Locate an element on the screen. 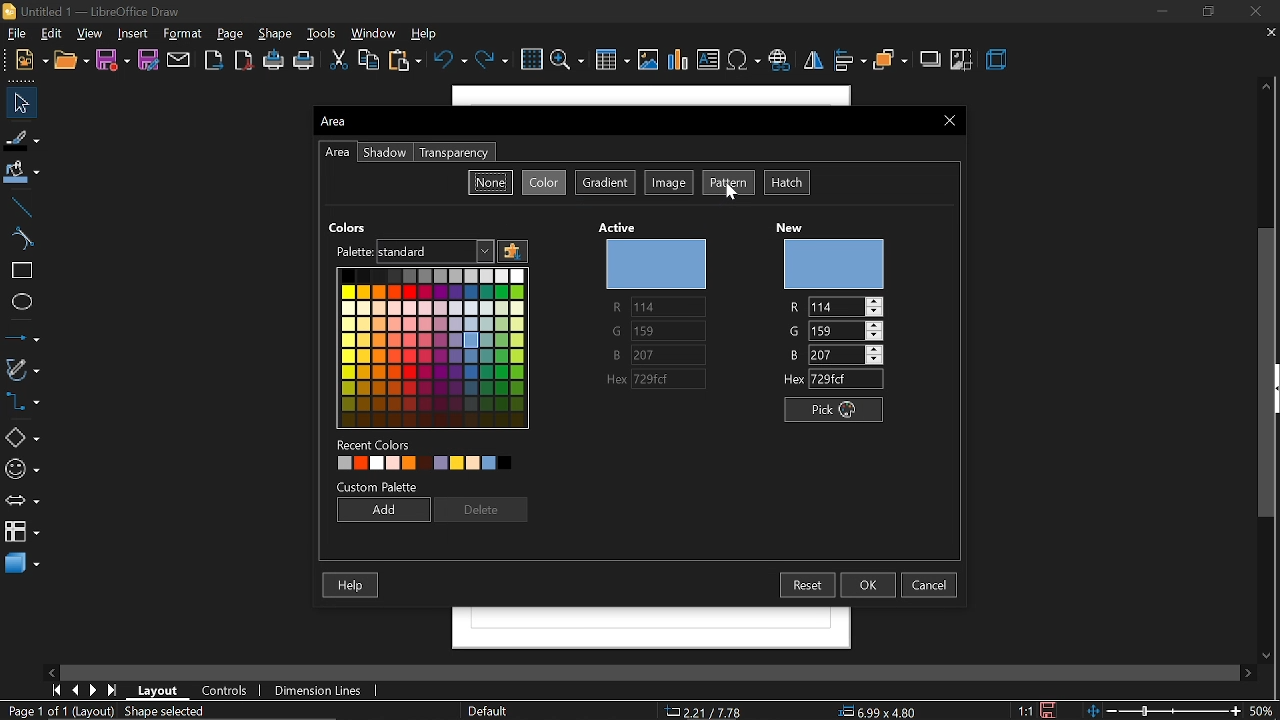 This screenshot has height=720, width=1280. shadow is located at coordinates (384, 153).